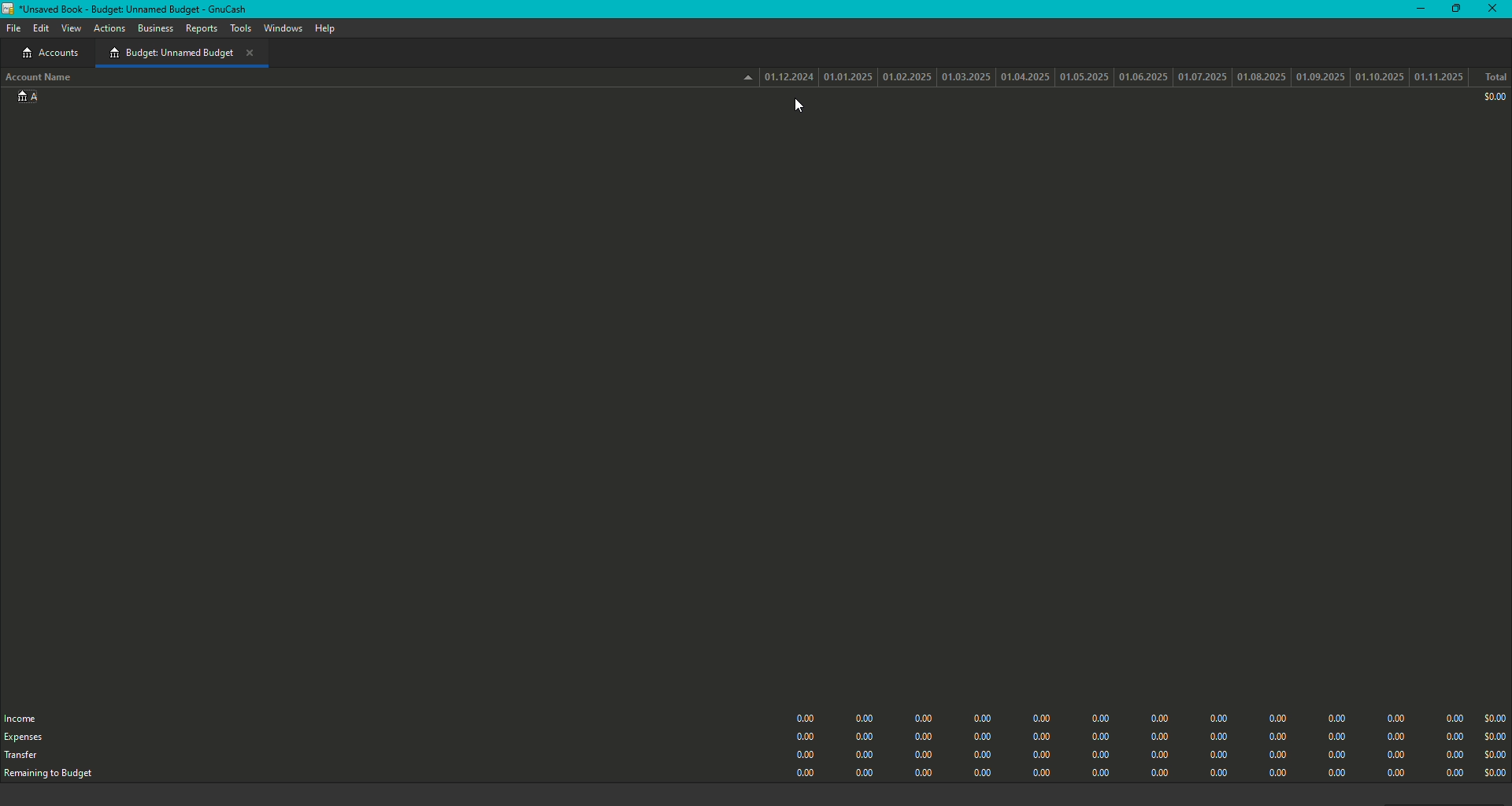 The height and width of the screenshot is (806, 1512). What do you see at coordinates (131, 9) in the screenshot?
I see `GnuCash` at bounding box center [131, 9].